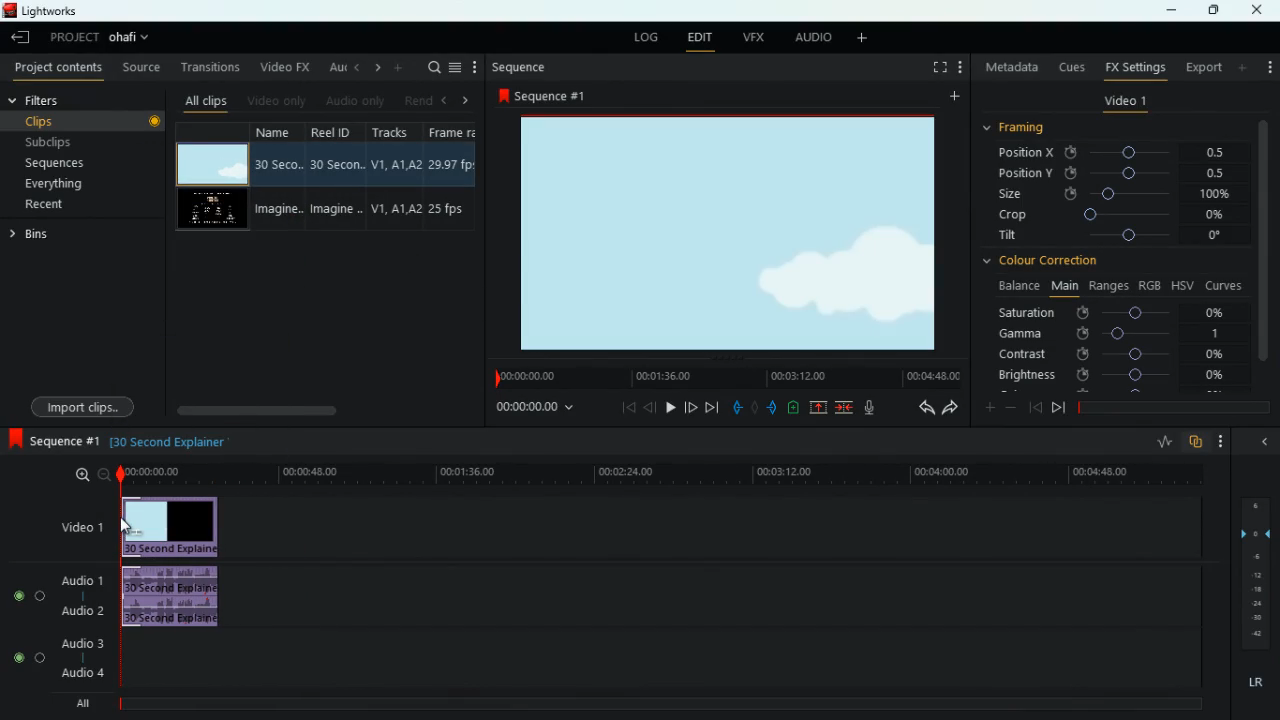 The height and width of the screenshot is (720, 1280). What do you see at coordinates (655, 474) in the screenshot?
I see `timeline` at bounding box center [655, 474].